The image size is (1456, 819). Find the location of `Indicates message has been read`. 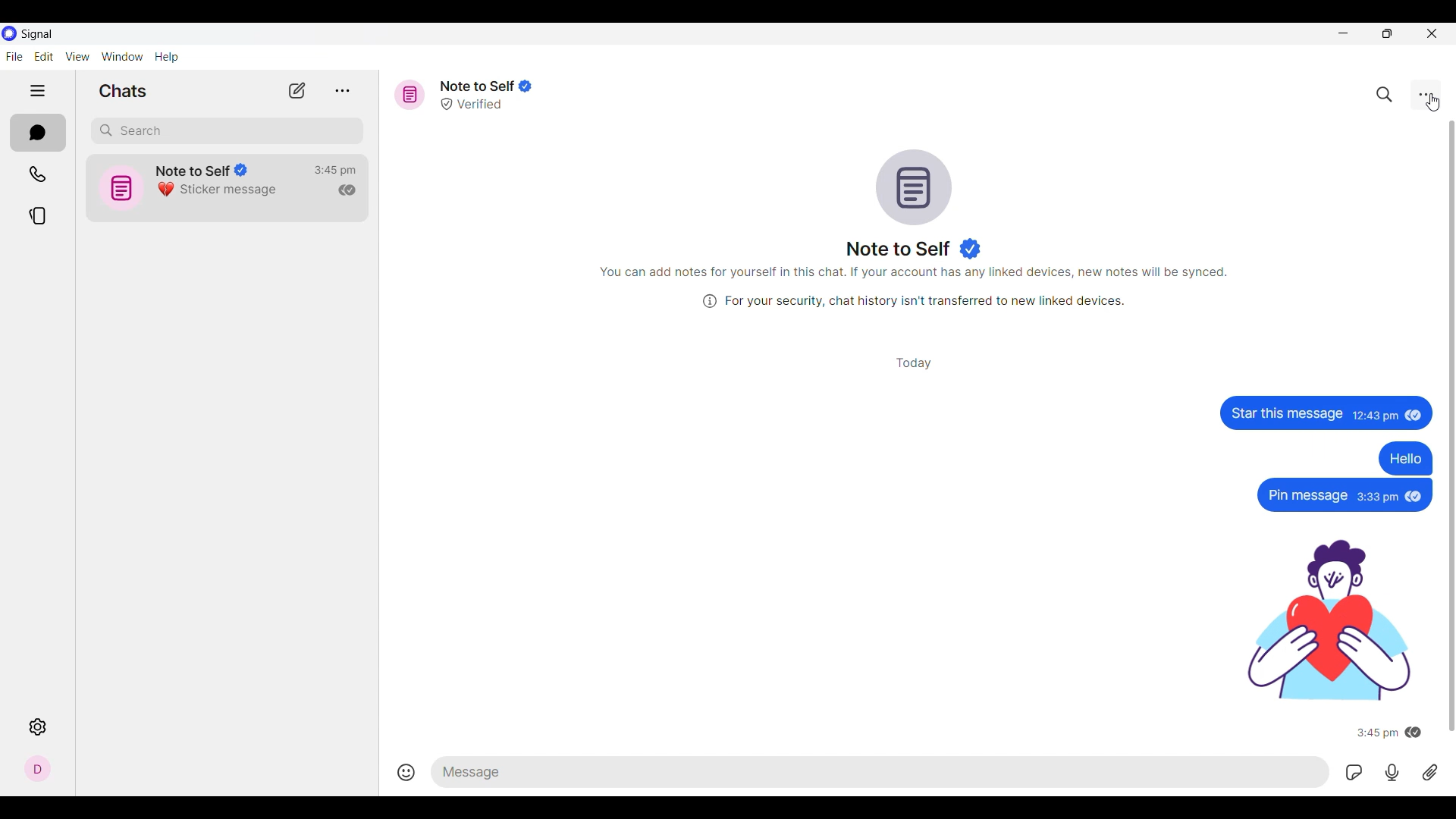

Indicates message has been read is located at coordinates (347, 190).